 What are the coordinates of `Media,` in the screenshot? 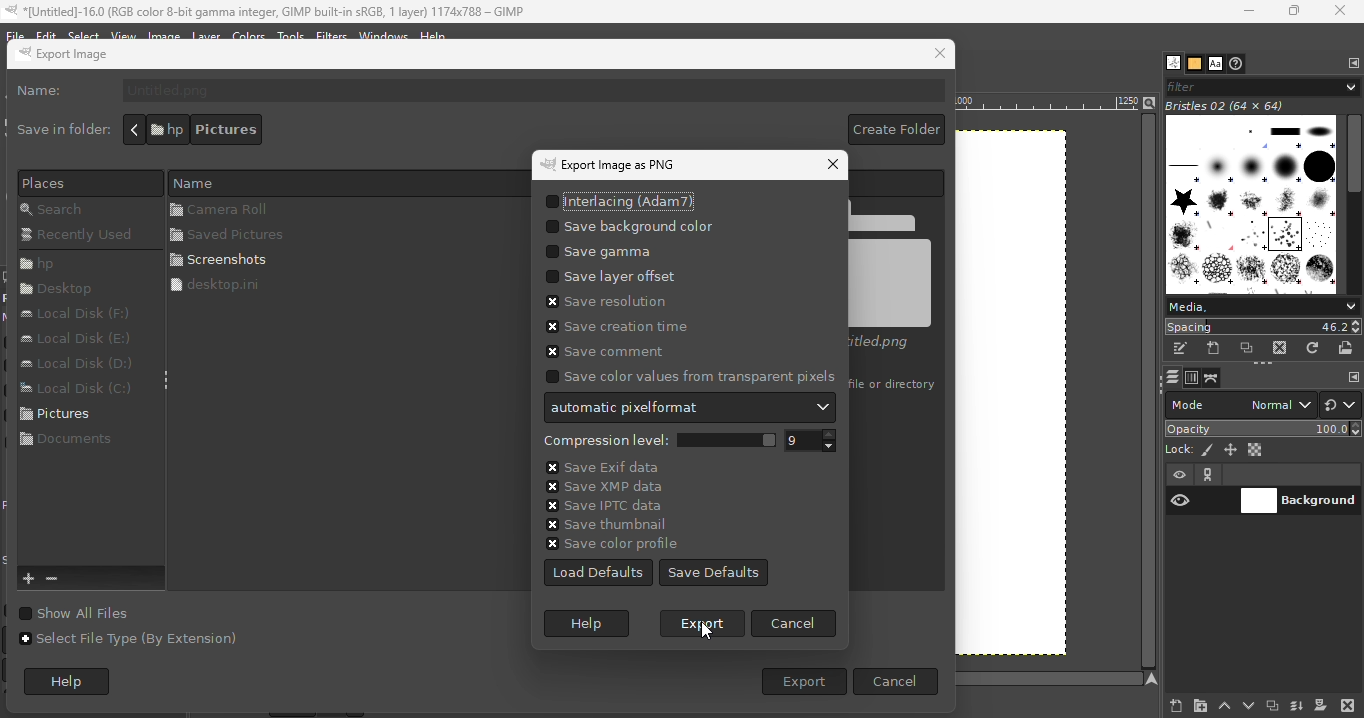 It's located at (1262, 306).